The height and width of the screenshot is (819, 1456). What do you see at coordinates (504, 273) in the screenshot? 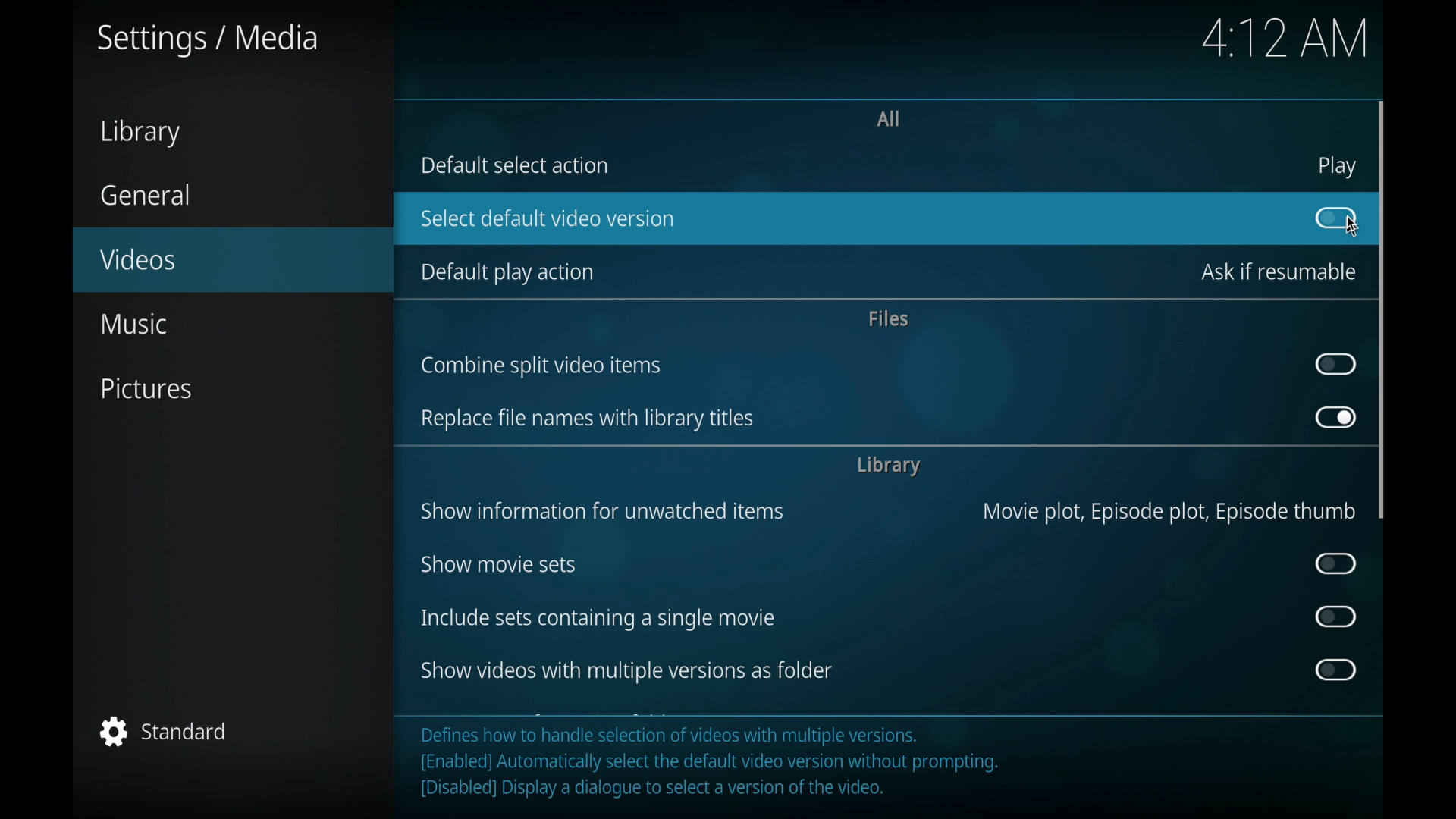
I see `default play action` at bounding box center [504, 273].